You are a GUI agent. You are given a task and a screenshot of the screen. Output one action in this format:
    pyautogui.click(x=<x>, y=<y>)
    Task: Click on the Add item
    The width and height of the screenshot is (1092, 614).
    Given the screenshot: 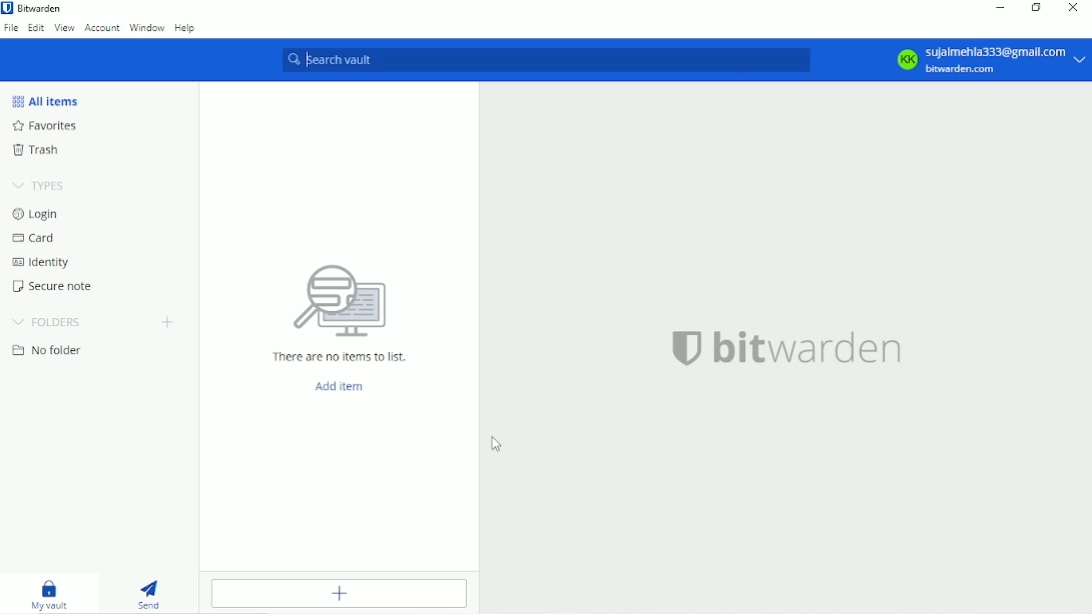 What is the action you would take?
    pyautogui.click(x=340, y=593)
    